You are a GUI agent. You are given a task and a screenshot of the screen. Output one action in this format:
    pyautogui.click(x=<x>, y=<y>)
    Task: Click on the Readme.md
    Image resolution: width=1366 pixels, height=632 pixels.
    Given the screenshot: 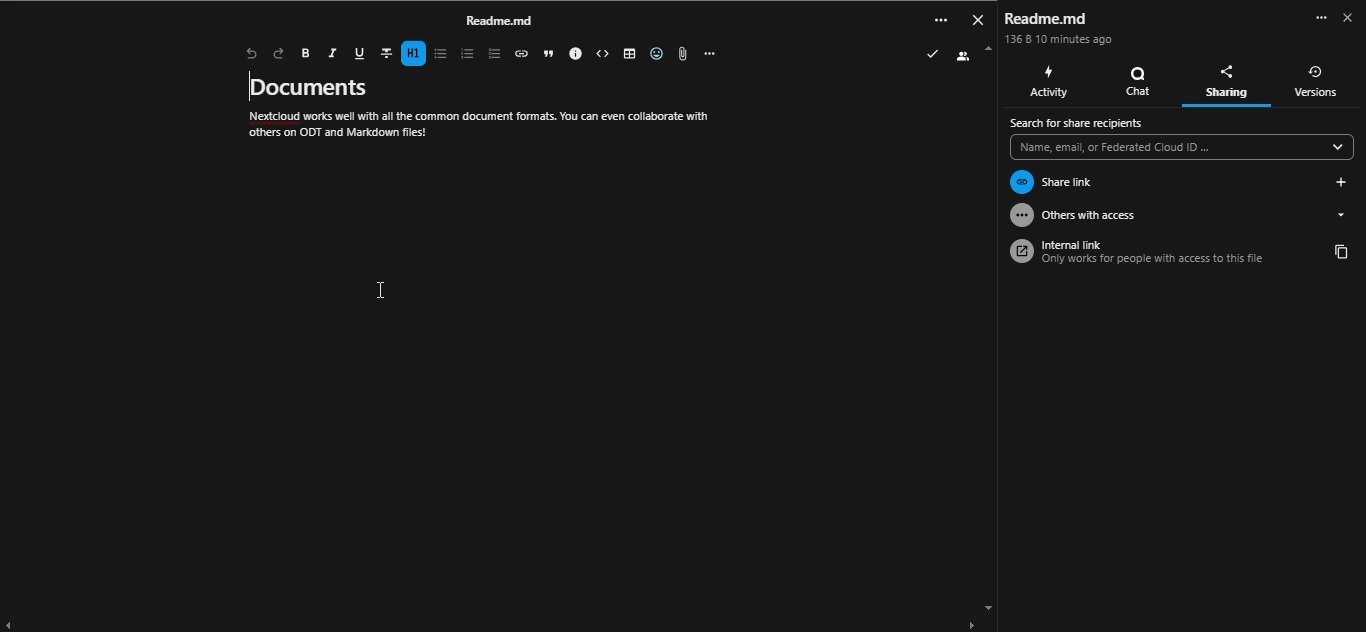 What is the action you would take?
    pyautogui.click(x=1046, y=18)
    